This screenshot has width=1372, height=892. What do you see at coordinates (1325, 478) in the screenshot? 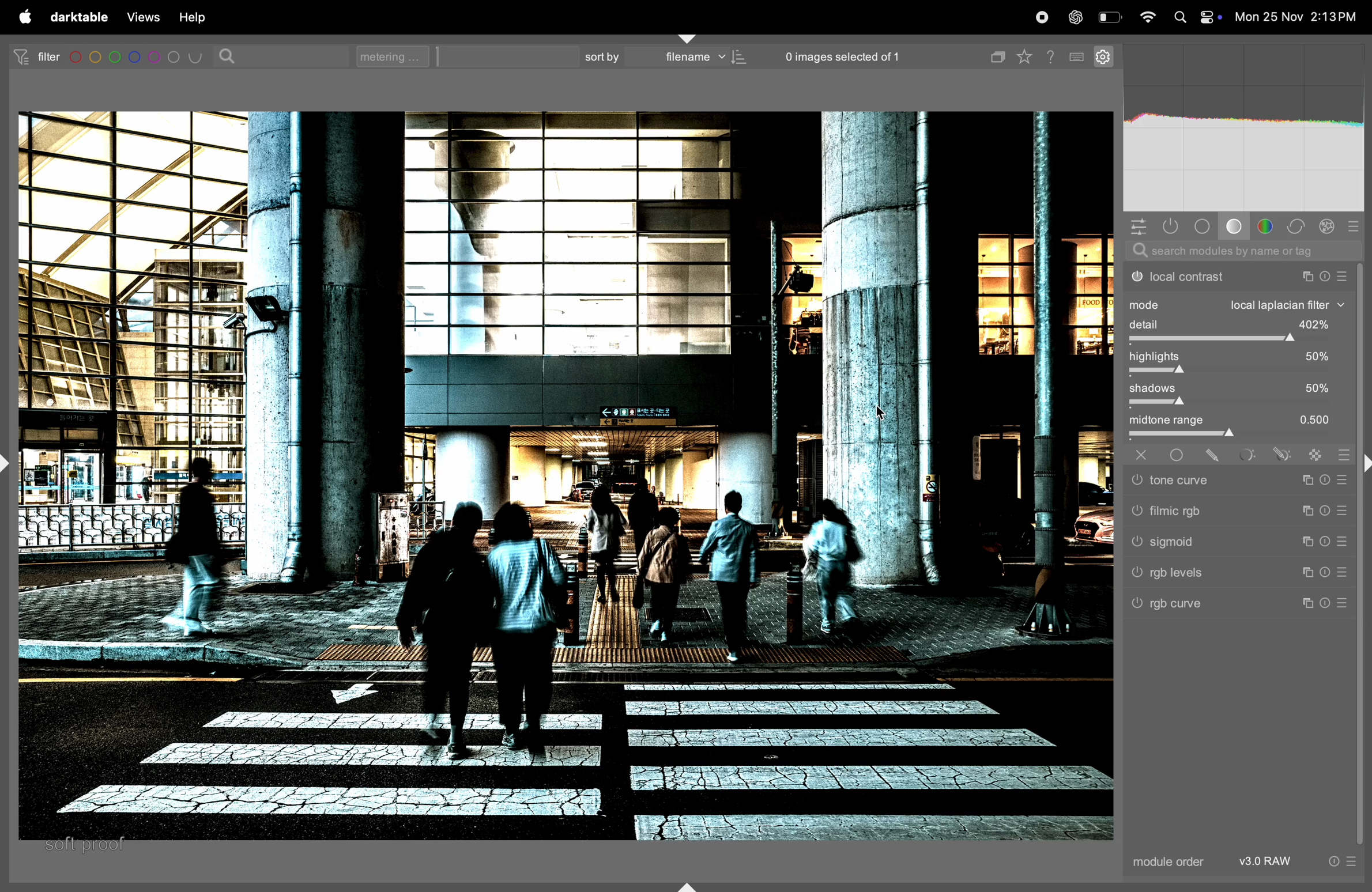
I see `reset` at bounding box center [1325, 478].